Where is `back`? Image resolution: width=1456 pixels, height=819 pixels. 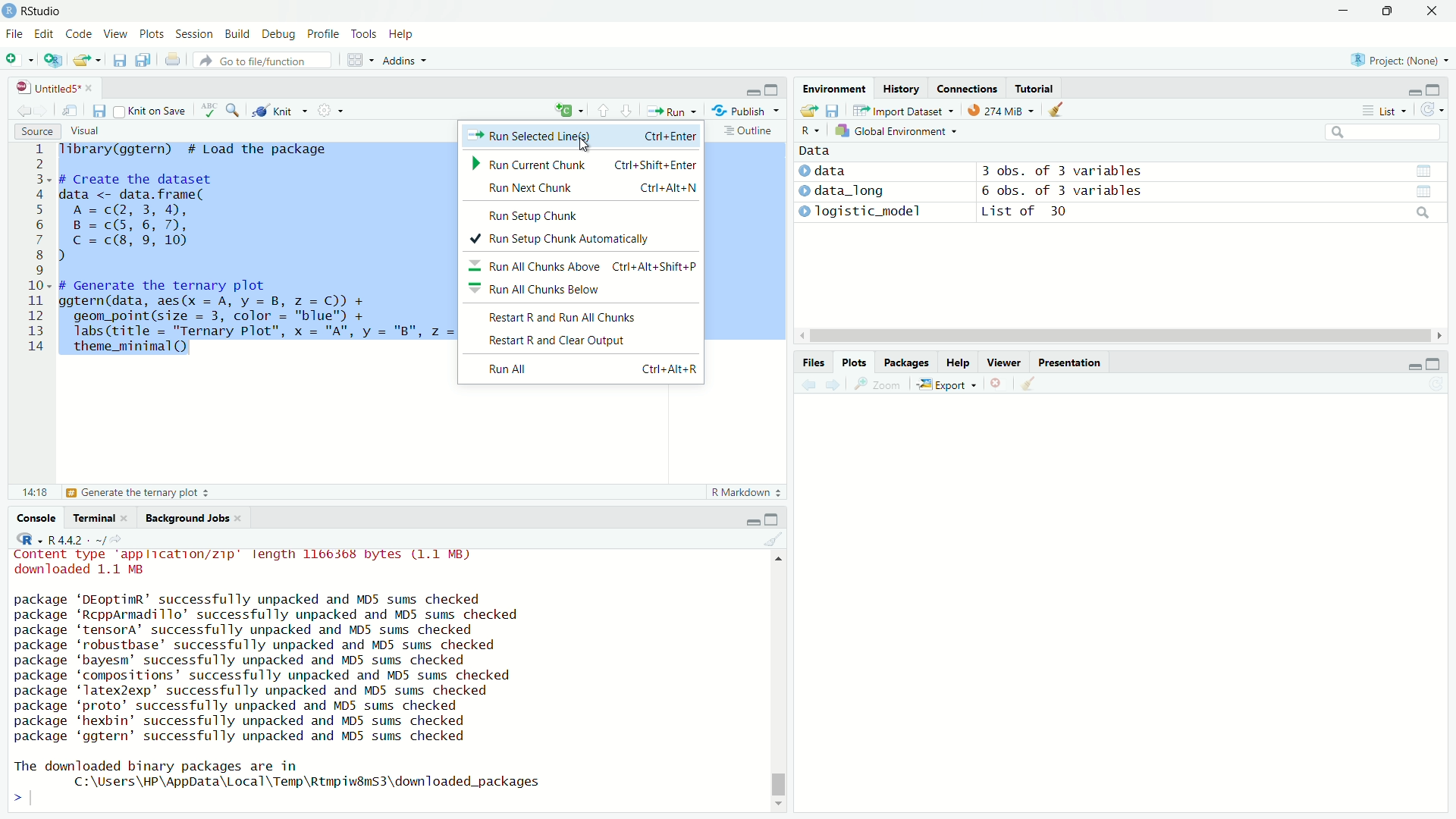 back is located at coordinates (21, 108).